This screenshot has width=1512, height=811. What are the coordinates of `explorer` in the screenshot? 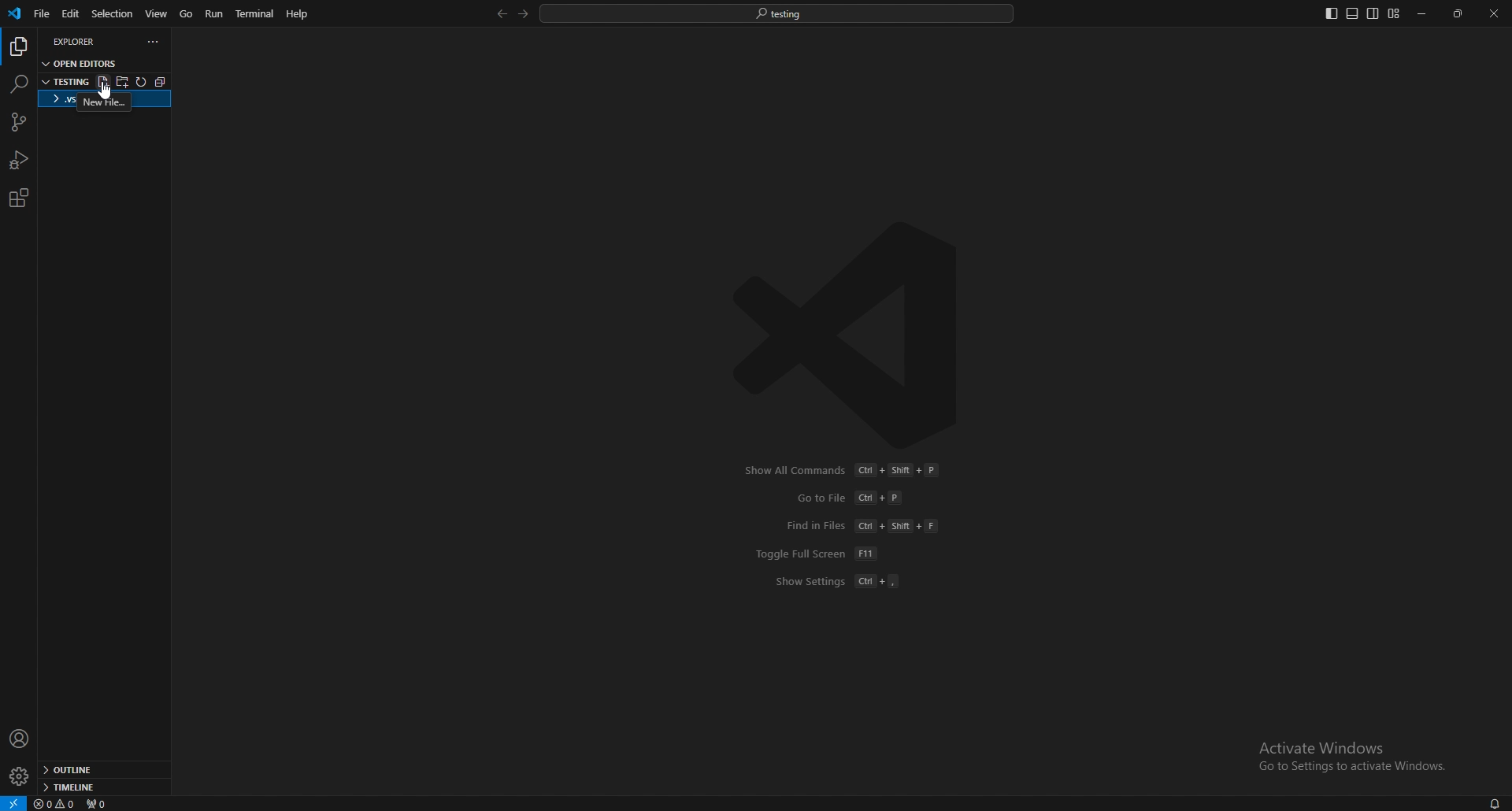 It's located at (18, 47).